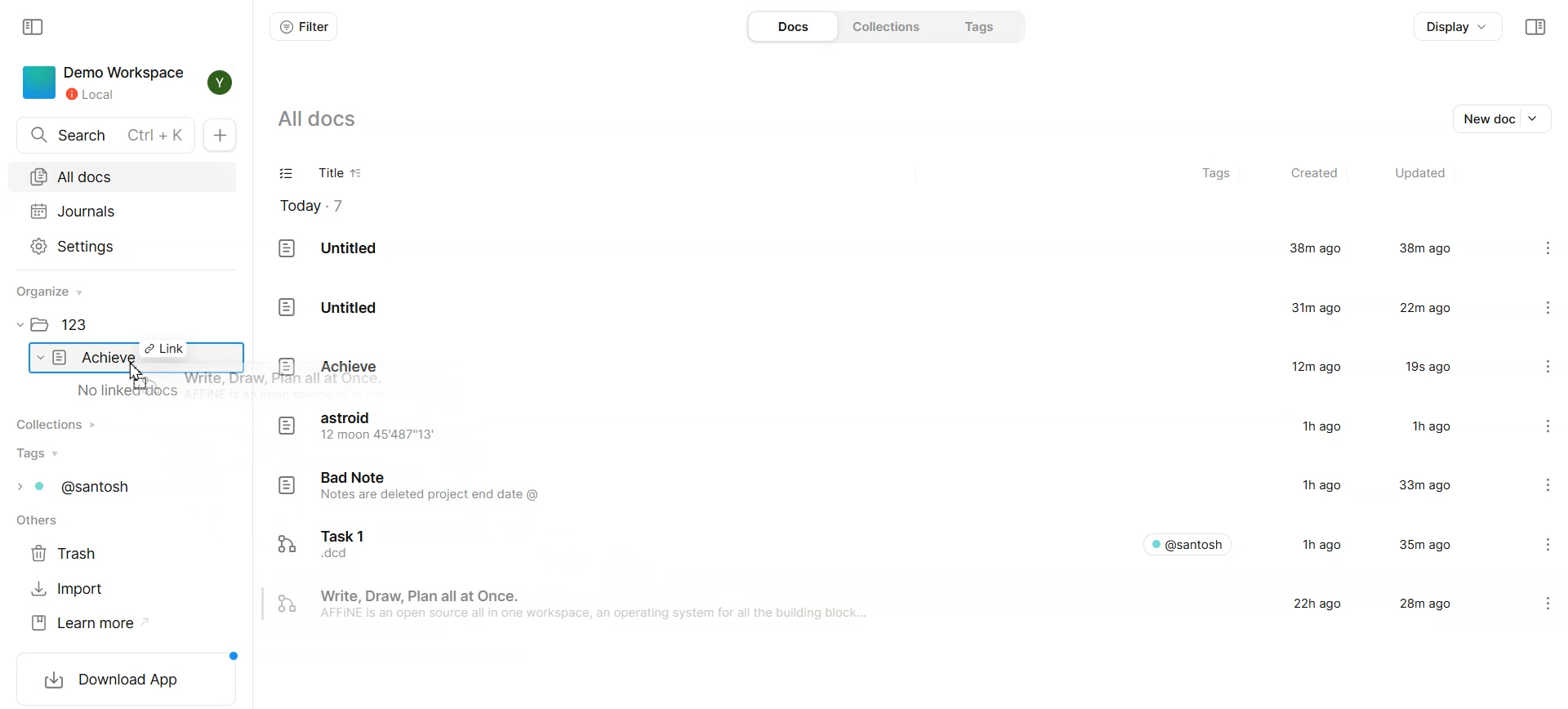  What do you see at coordinates (358, 174) in the screenshot?
I see `Sort` at bounding box center [358, 174].